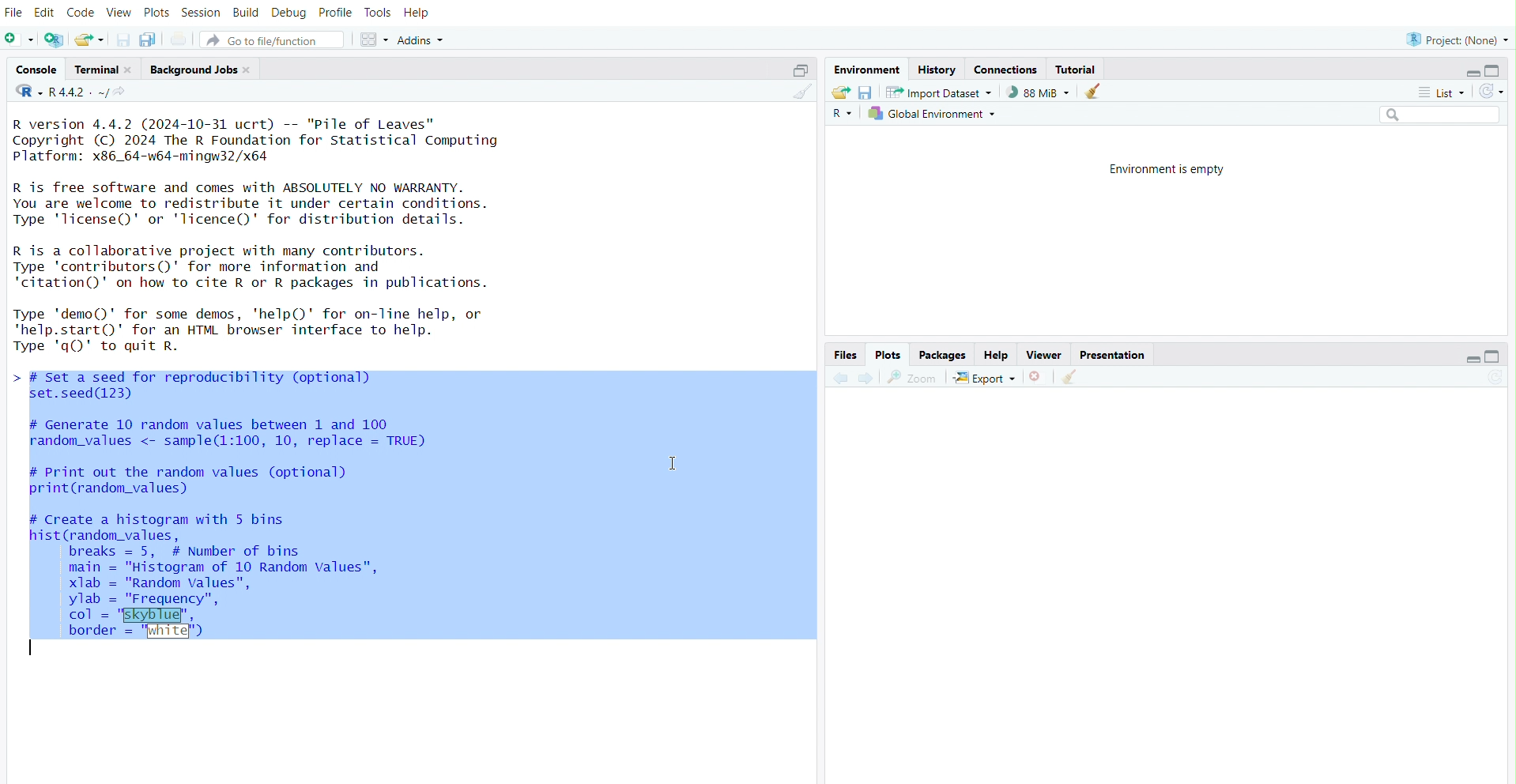 This screenshot has height=784, width=1516. Describe the element at coordinates (82, 10) in the screenshot. I see `code` at that location.